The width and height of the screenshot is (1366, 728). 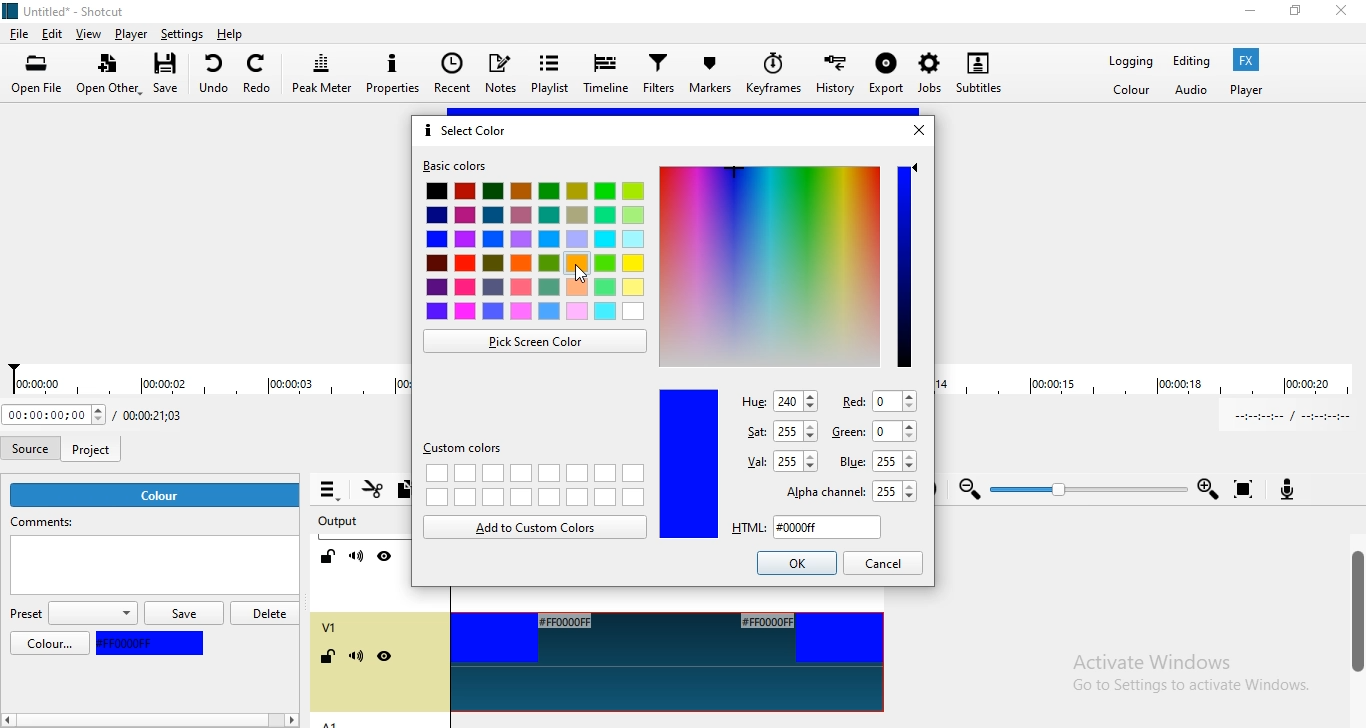 I want to click on hue, so click(x=778, y=401).